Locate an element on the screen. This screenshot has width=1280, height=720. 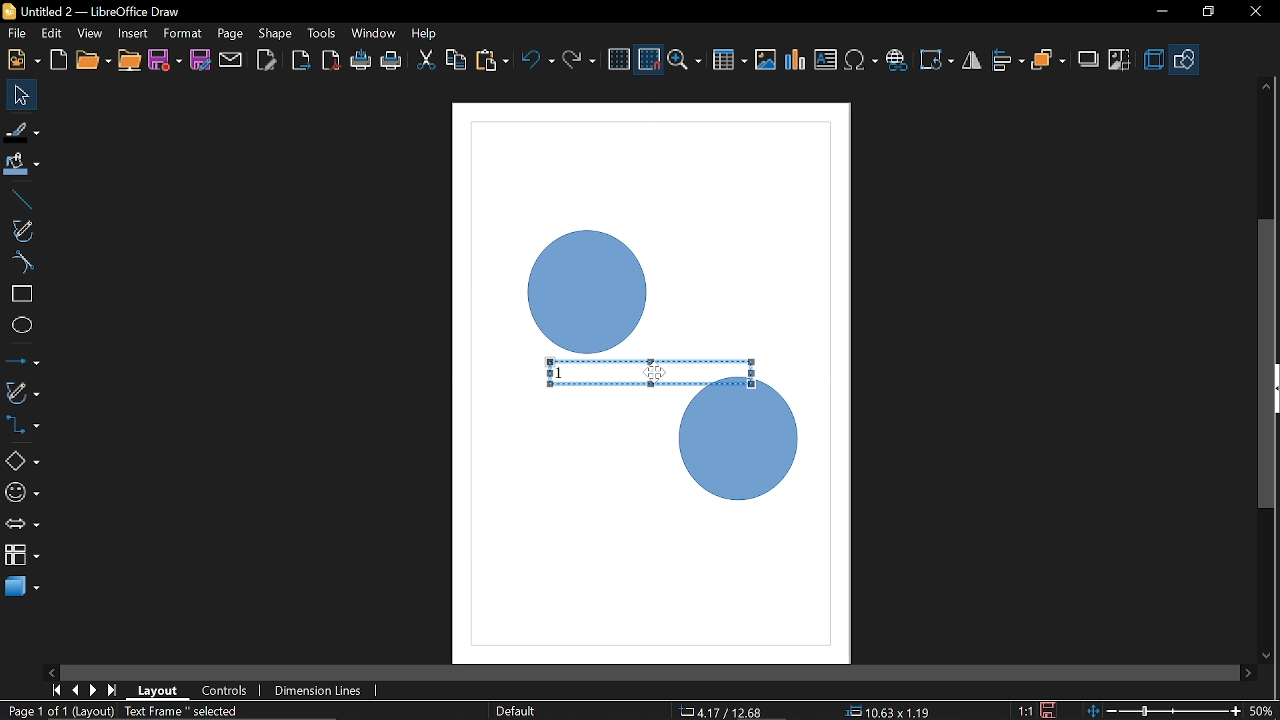
Diagram is located at coordinates (796, 60).